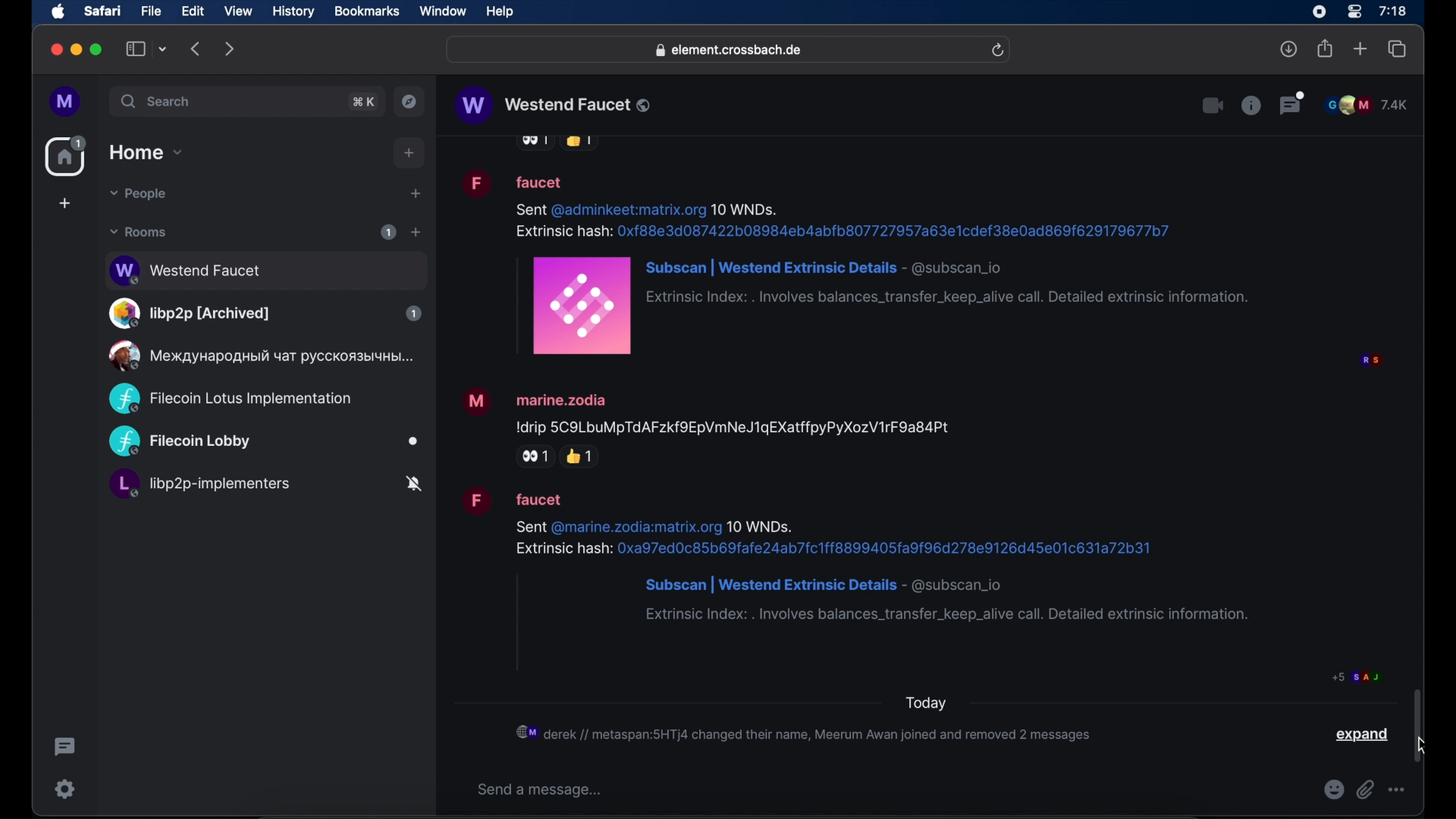 This screenshot has width=1456, height=819. Describe the element at coordinates (707, 409) in the screenshot. I see `message` at that location.